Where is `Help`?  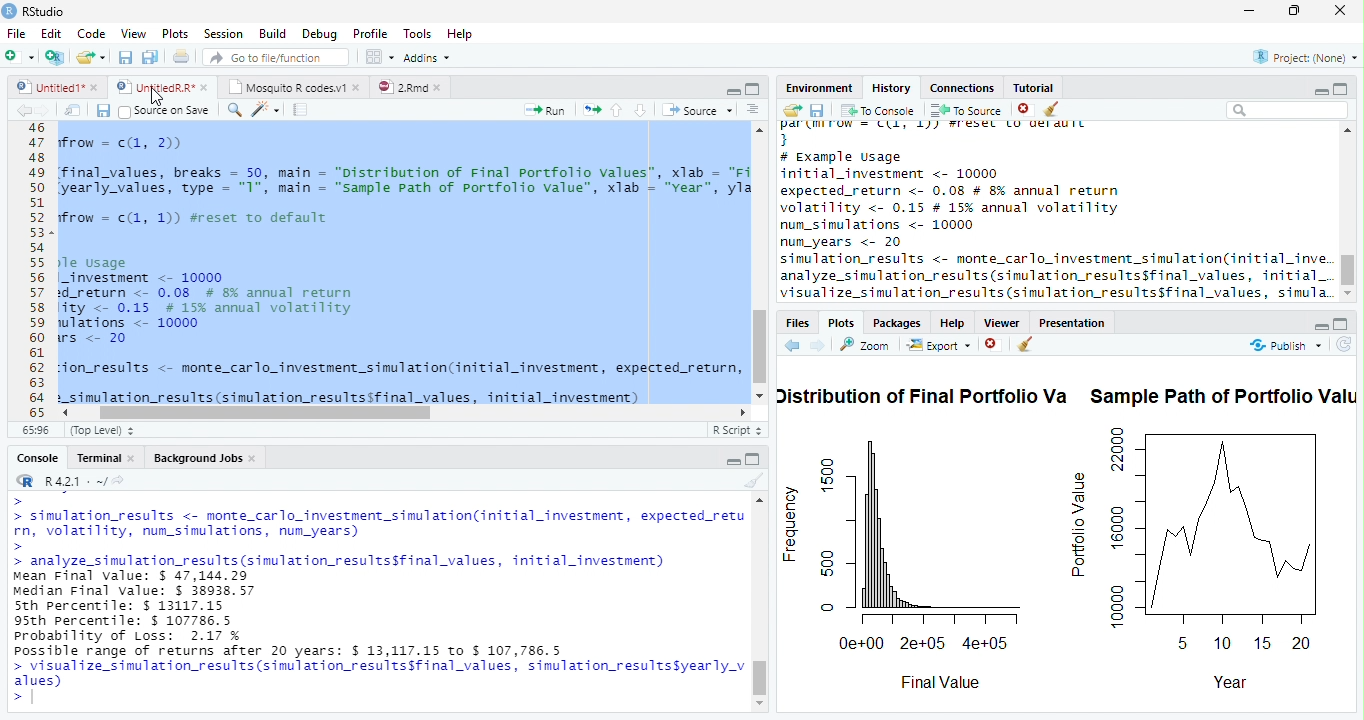 Help is located at coordinates (462, 35).